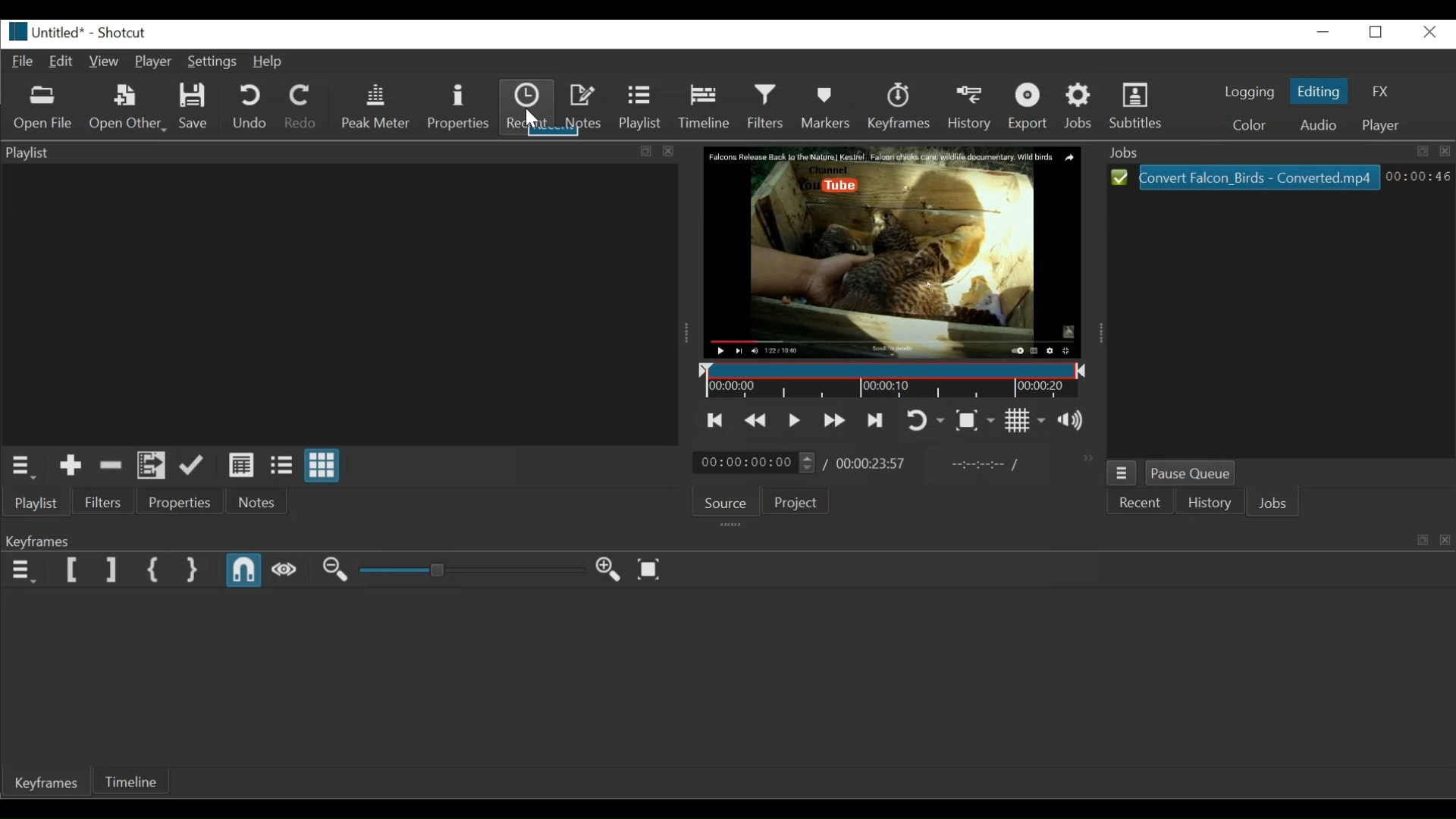 Image resolution: width=1456 pixels, height=819 pixels. I want to click on View as file, so click(283, 466).